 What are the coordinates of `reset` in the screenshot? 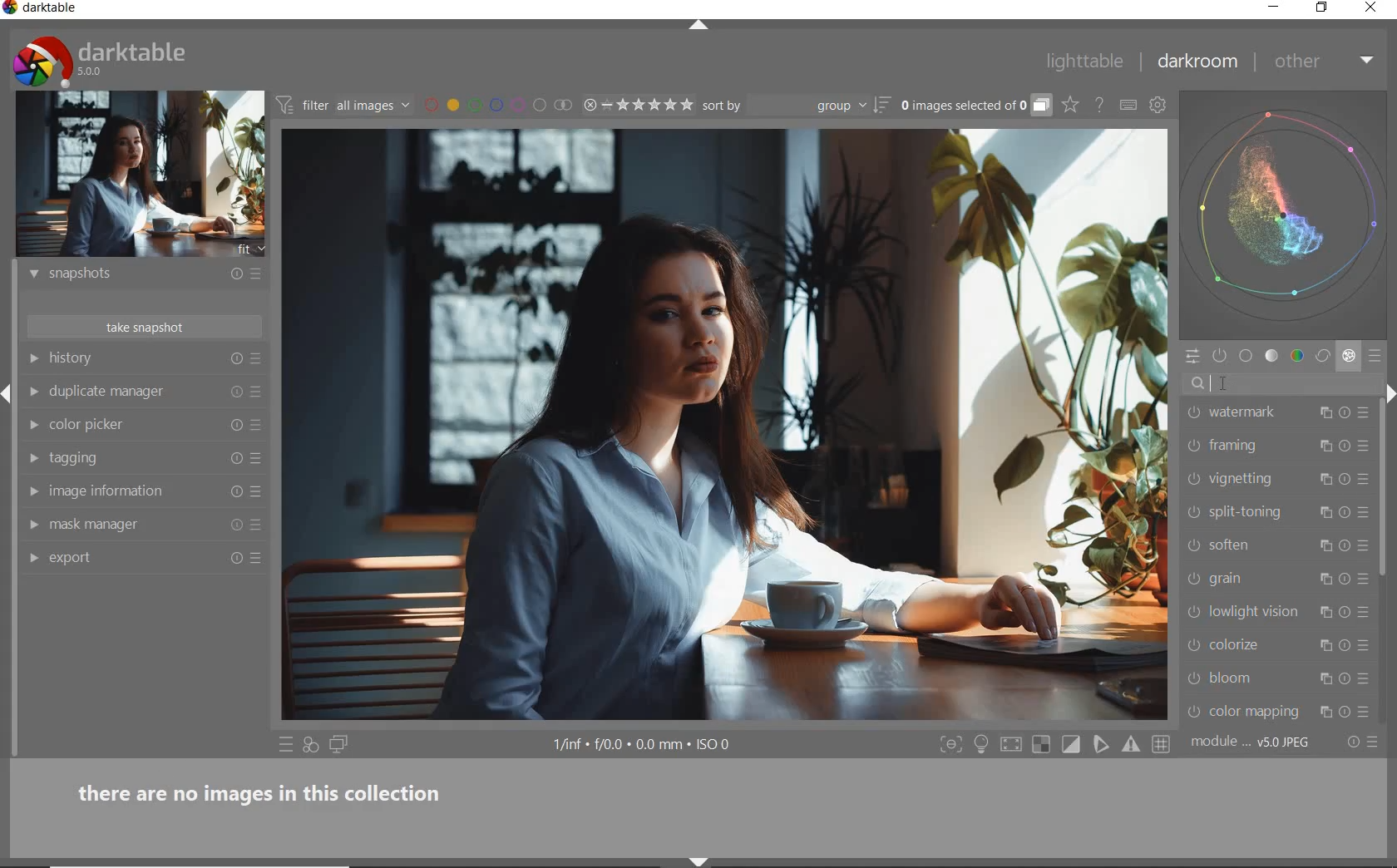 It's located at (235, 392).